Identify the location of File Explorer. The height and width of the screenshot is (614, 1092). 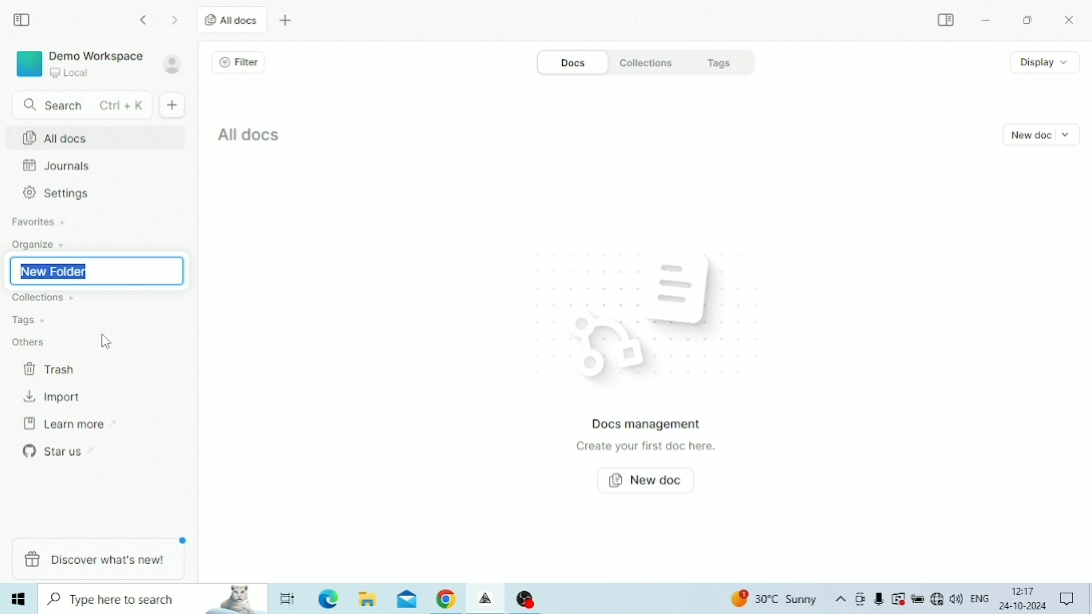
(368, 599).